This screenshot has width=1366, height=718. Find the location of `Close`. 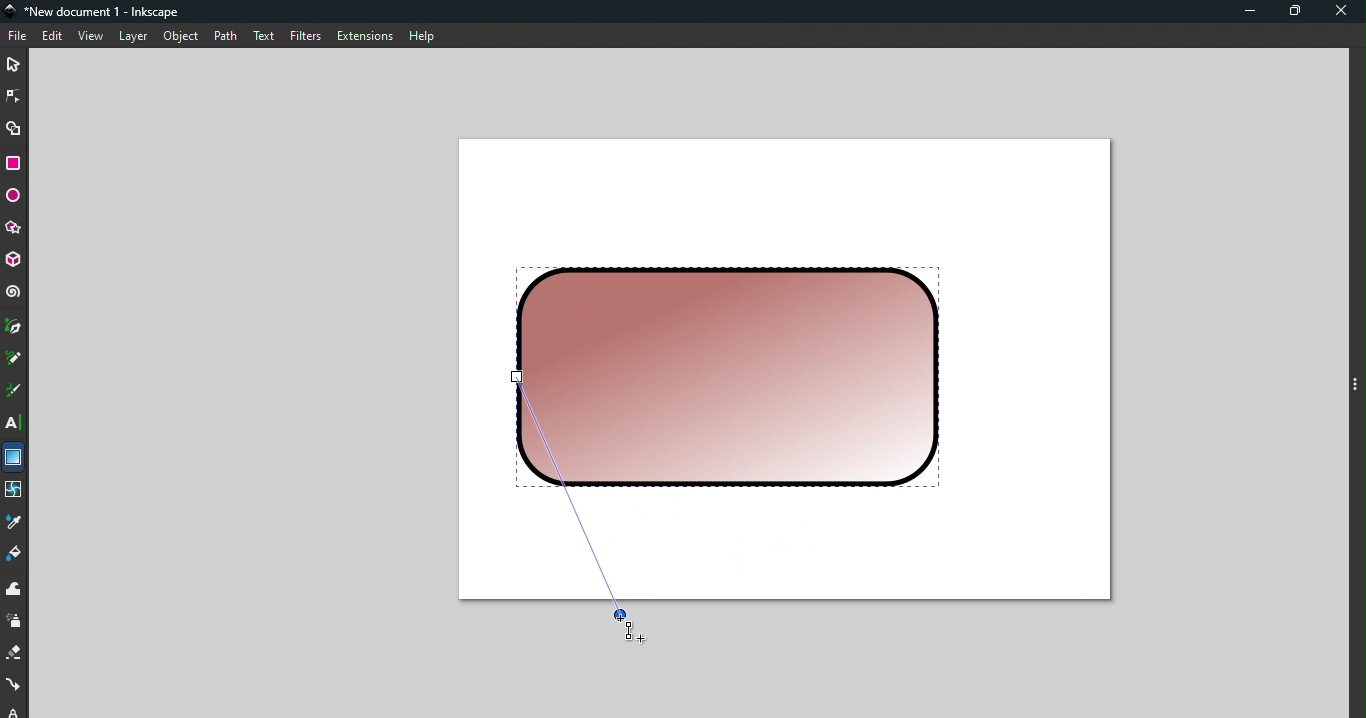

Close is located at coordinates (1343, 13).